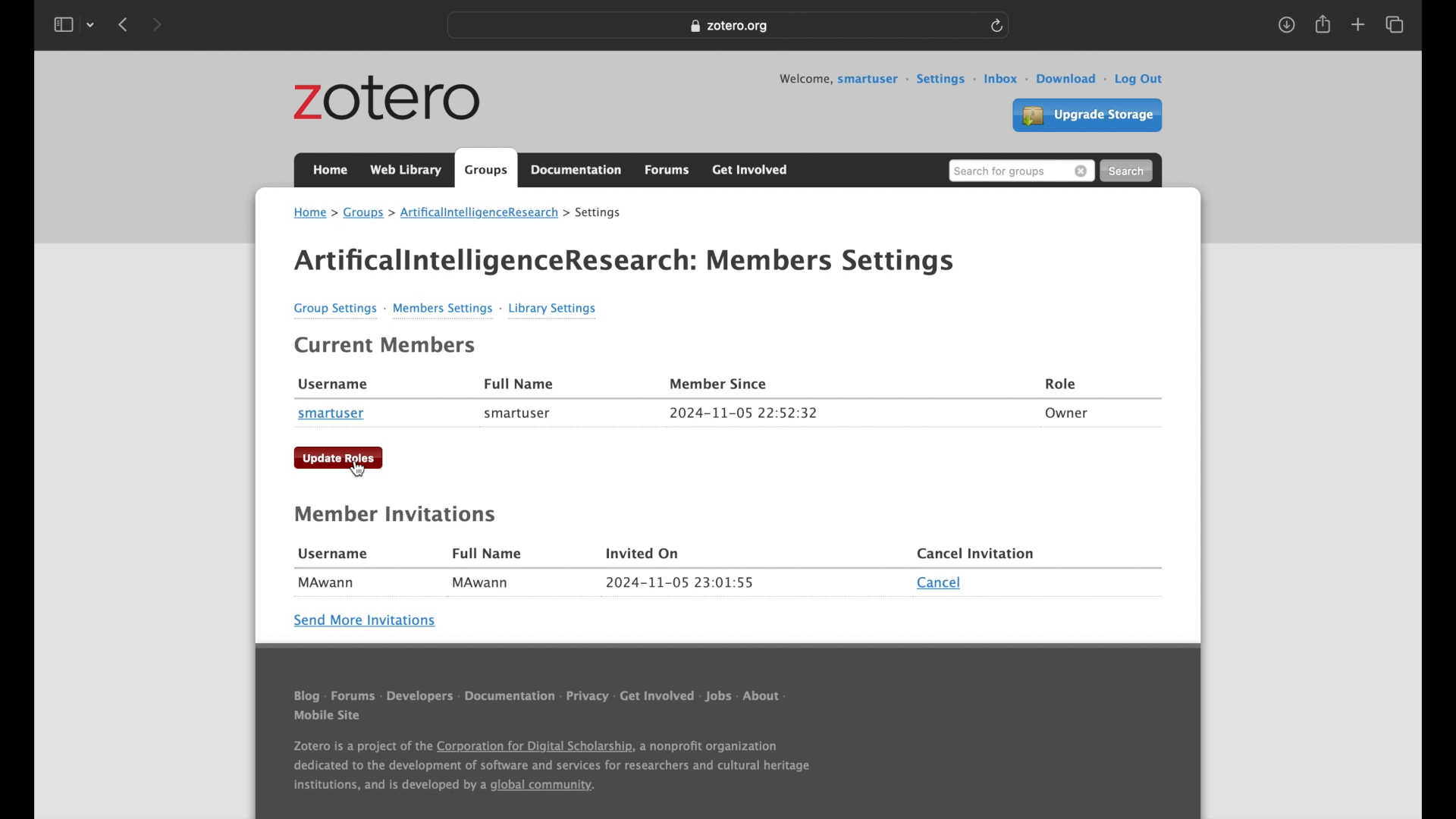 The width and height of the screenshot is (1456, 819). Describe the element at coordinates (1073, 80) in the screenshot. I see `download` at that location.